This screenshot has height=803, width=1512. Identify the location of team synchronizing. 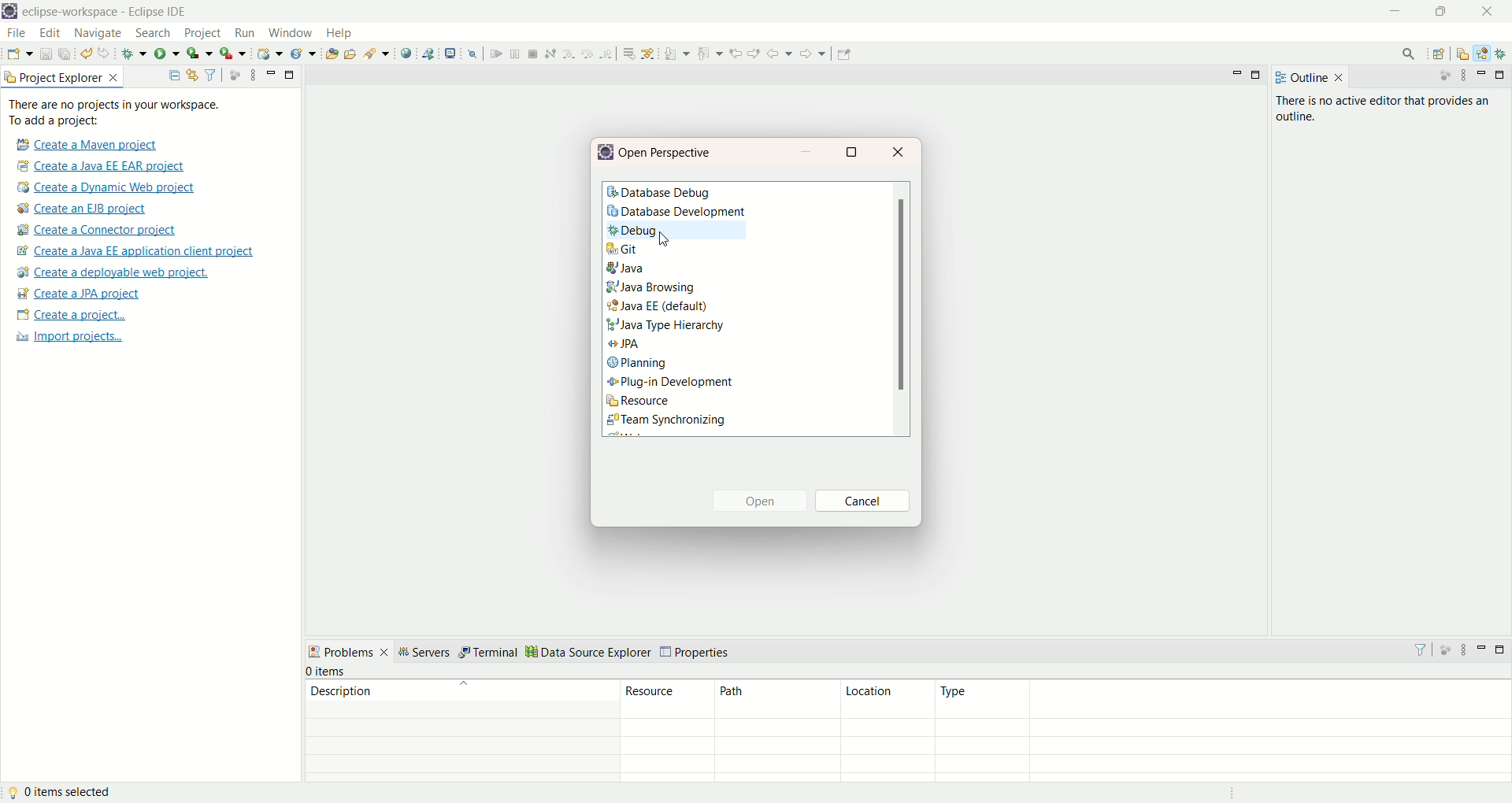
(667, 422).